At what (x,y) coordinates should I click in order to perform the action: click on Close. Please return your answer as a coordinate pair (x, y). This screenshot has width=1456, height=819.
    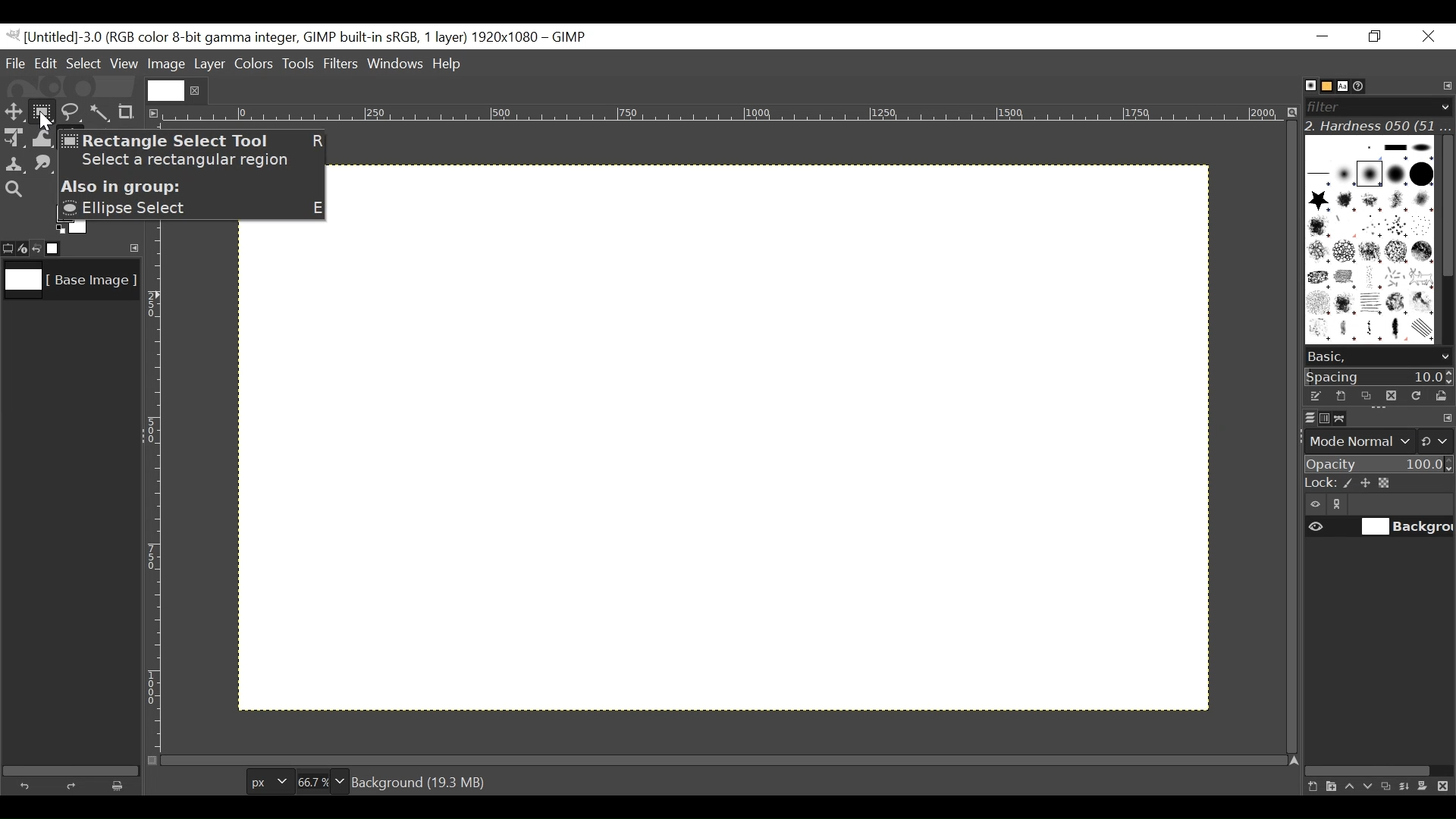
    Looking at the image, I should click on (1427, 37).